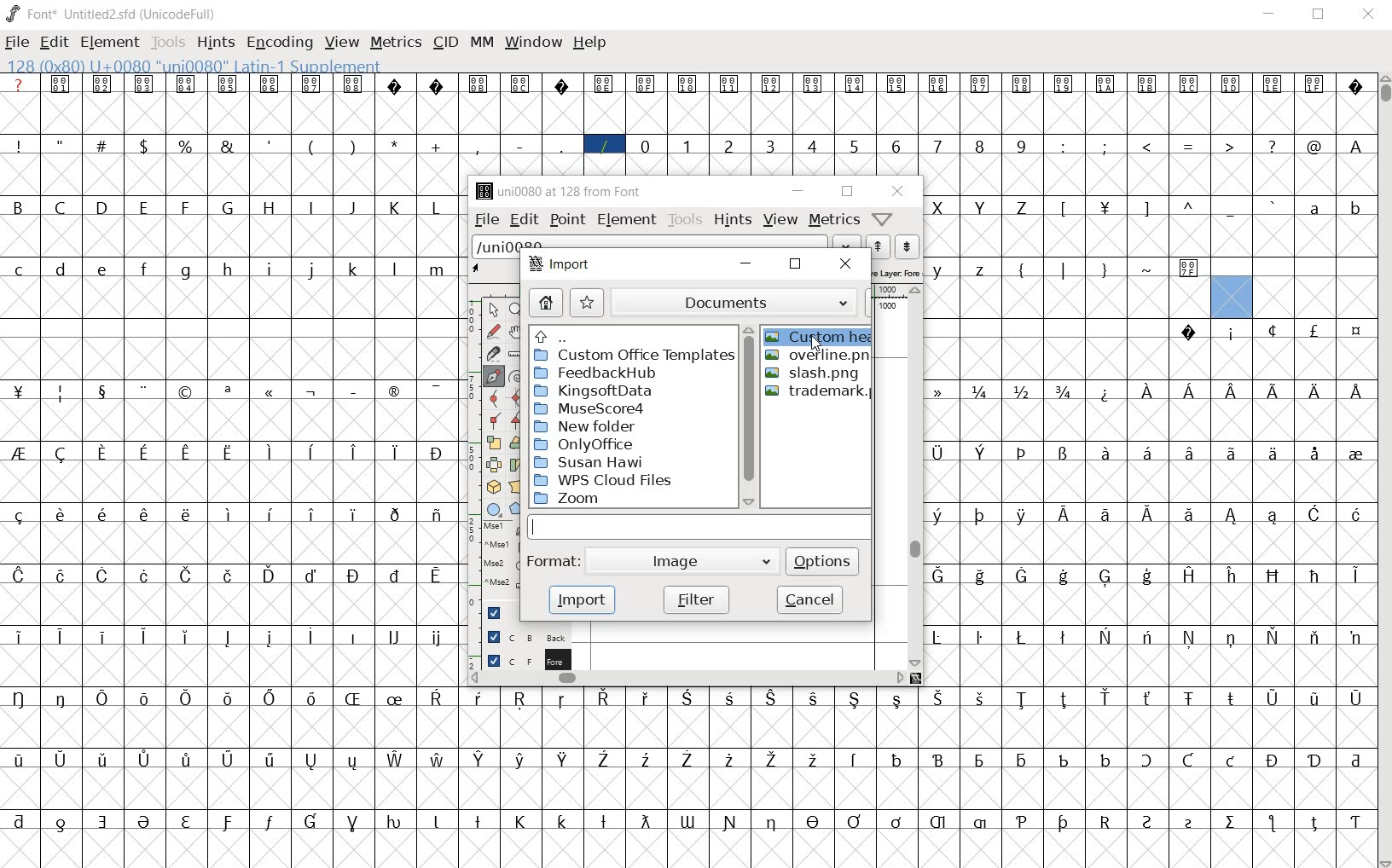 The image size is (1392, 868). I want to click on glyph, so click(1147, 698).